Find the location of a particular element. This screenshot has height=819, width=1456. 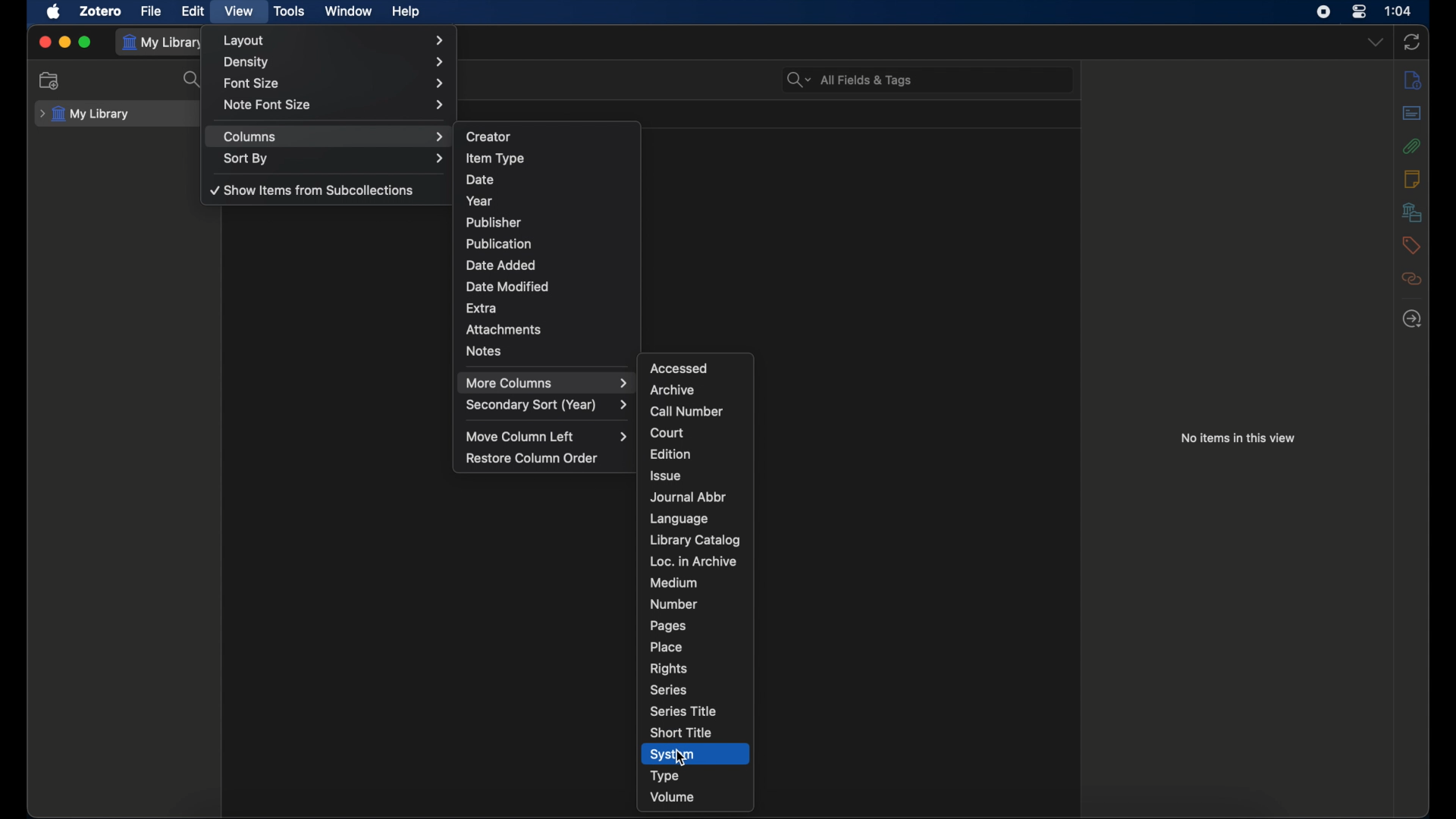

rights is located at coordinates (669, 670).